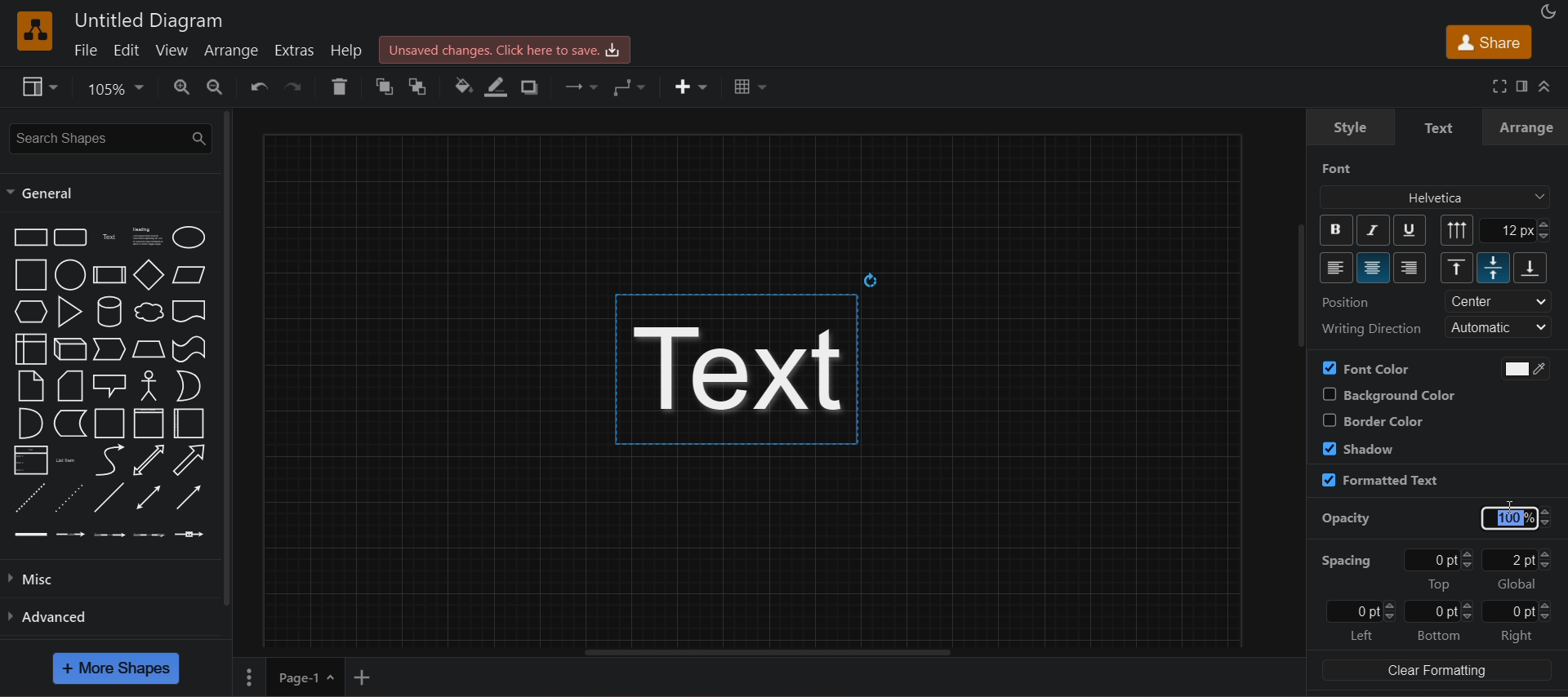 This screenshot has width=1568, height=697. Describe the element at coordinates (532, 87) in the screenshot. I see `shadow` at that location.